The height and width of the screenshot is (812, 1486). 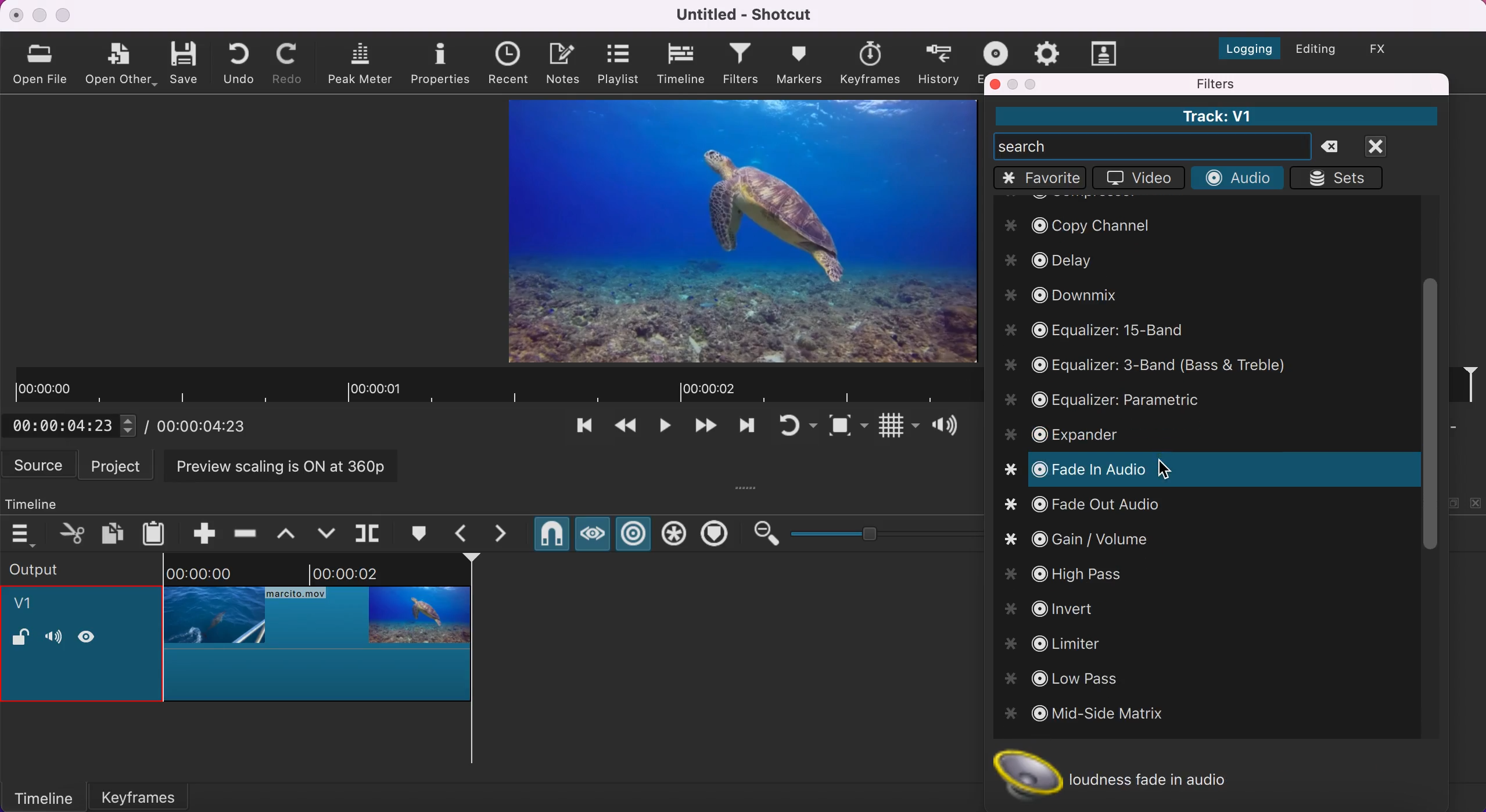 What do you see at coordinates (53, 638) in the screenshot?
I see `volume` at bounding box center [53, 638].